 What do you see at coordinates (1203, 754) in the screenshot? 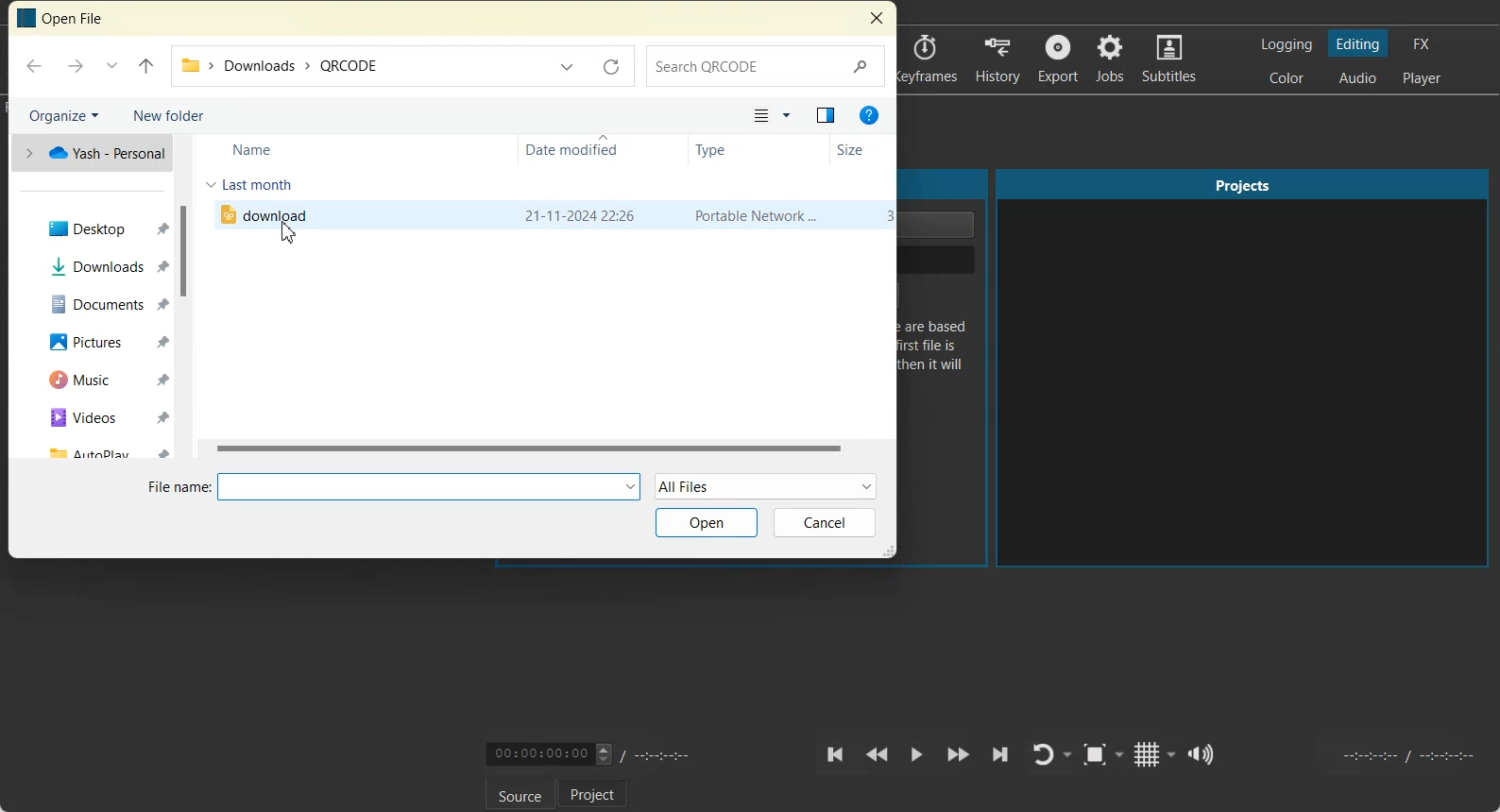
I see `Show the volume control` at bounding box center [1203, 754].